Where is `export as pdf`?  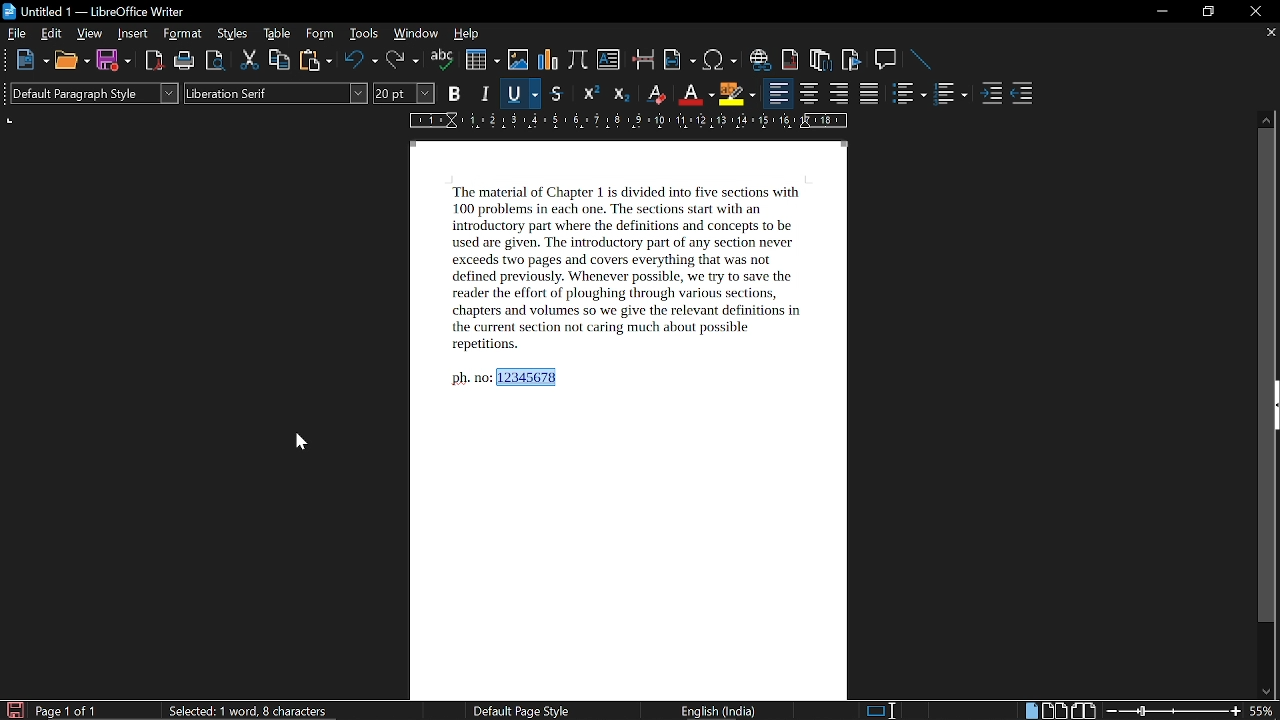
export as pdf is located at coordinates (151, 61).